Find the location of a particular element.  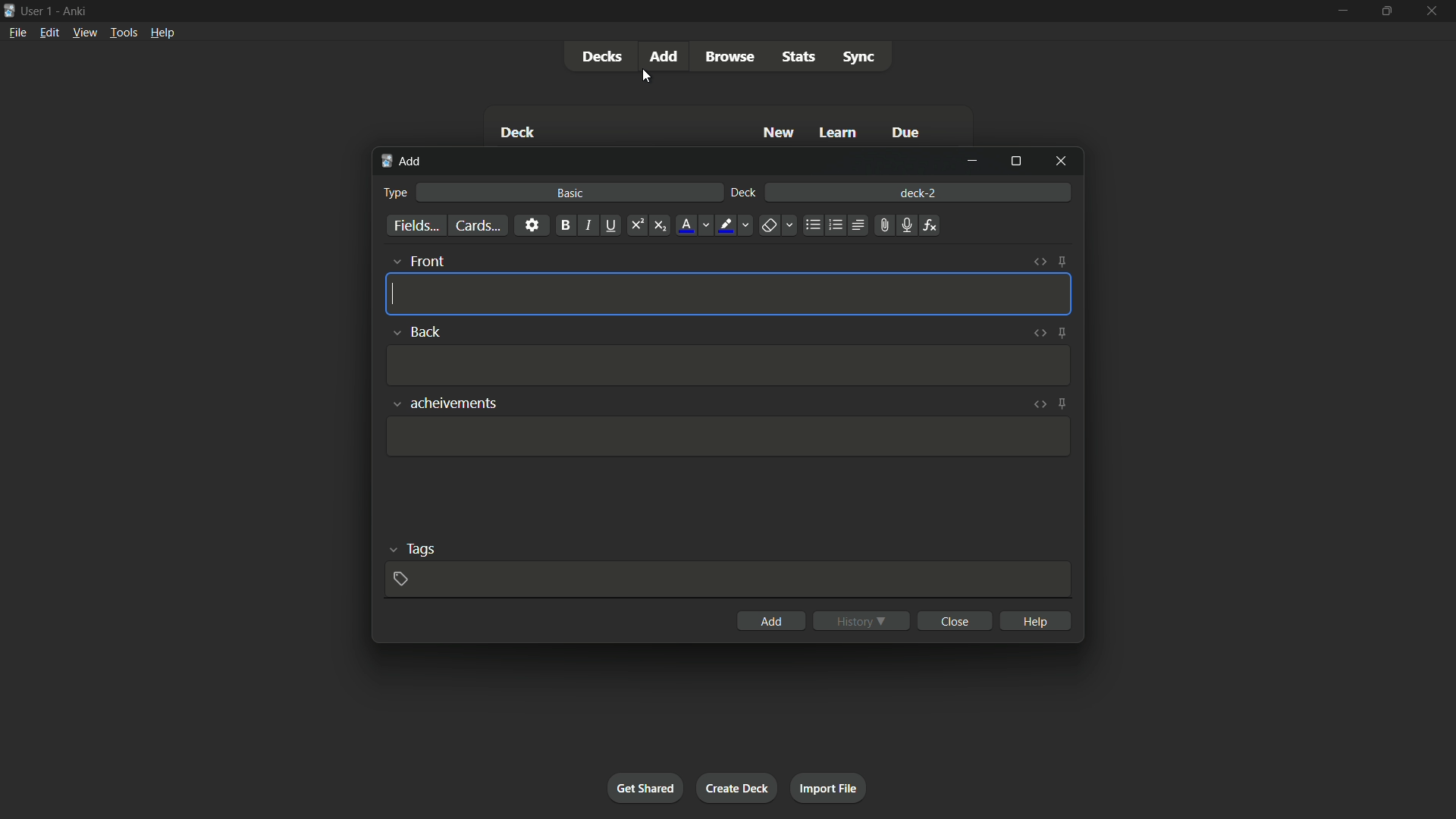

close window is located at coordinates (1059, 162).